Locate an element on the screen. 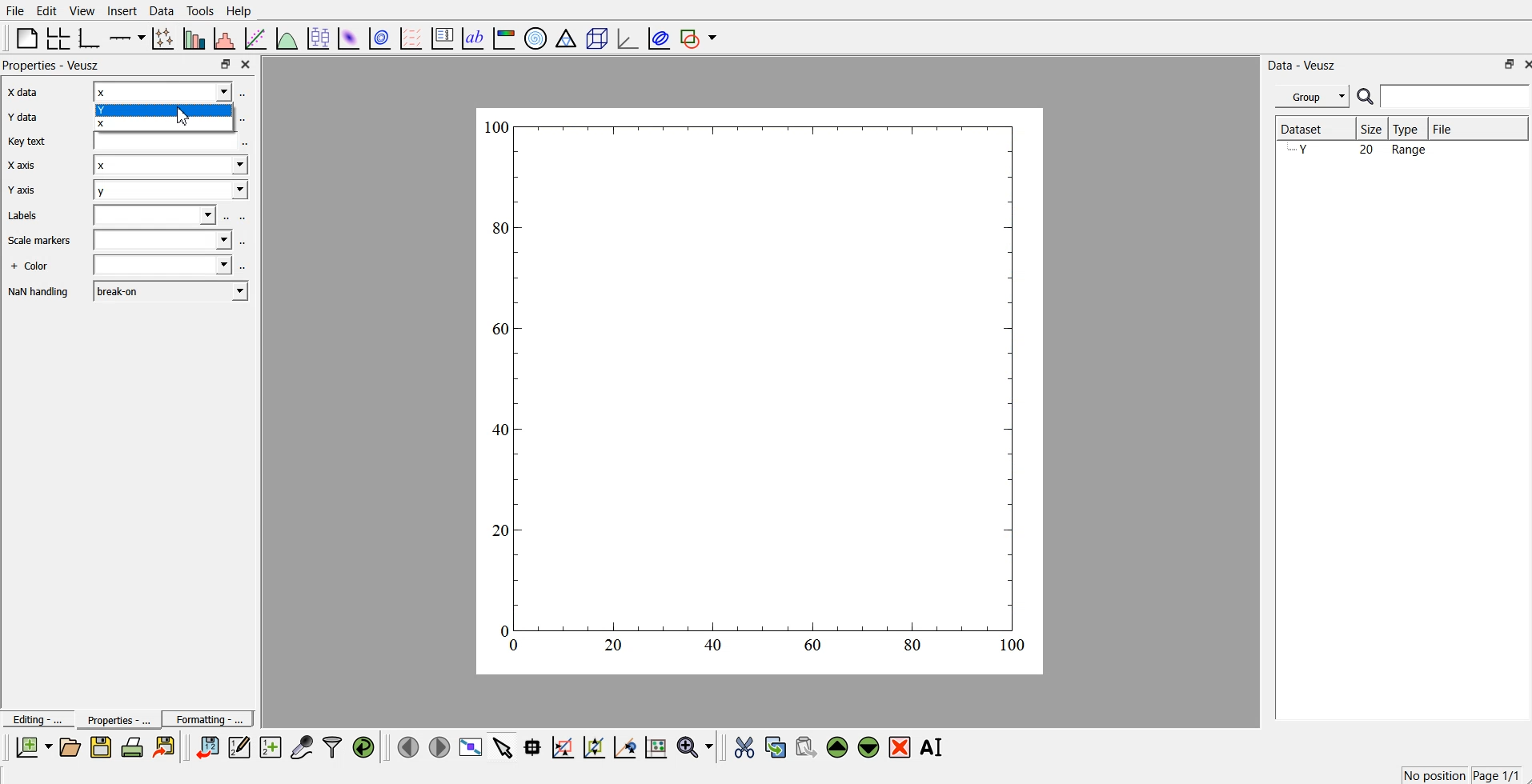 This screenshot has width=1532, height=784. Dataset is located at coordinates (1312, 129).